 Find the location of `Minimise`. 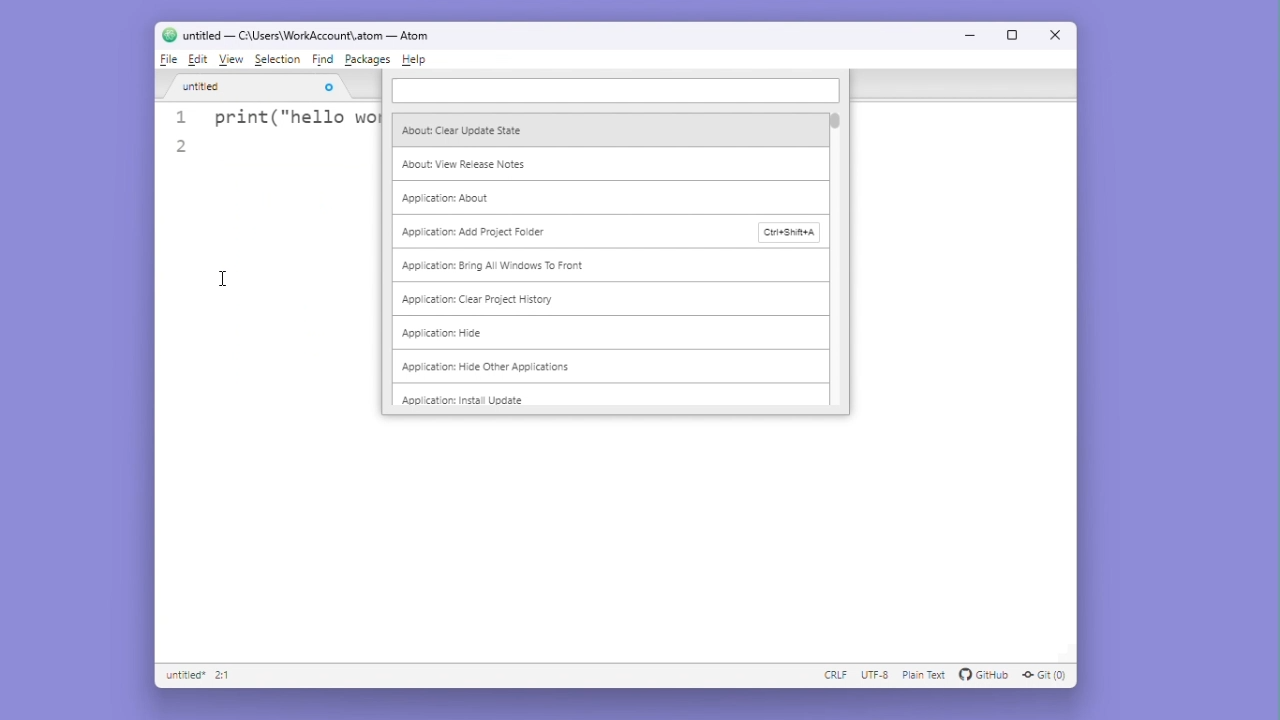

Minimise is located at coordinates (975, 34).